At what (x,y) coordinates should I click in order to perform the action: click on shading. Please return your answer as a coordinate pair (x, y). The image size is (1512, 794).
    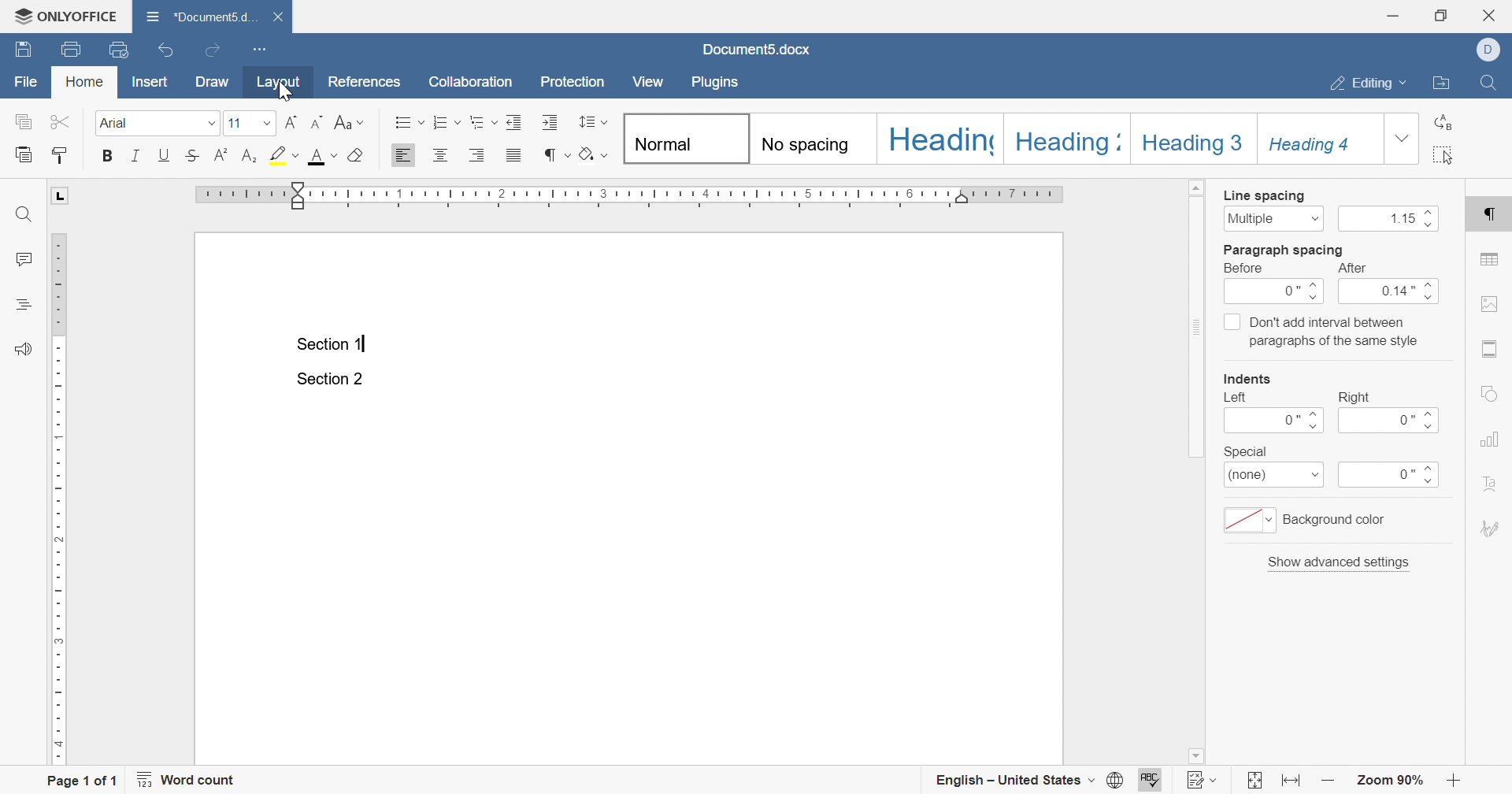
    Looking at the image, I should click on (595, 153).